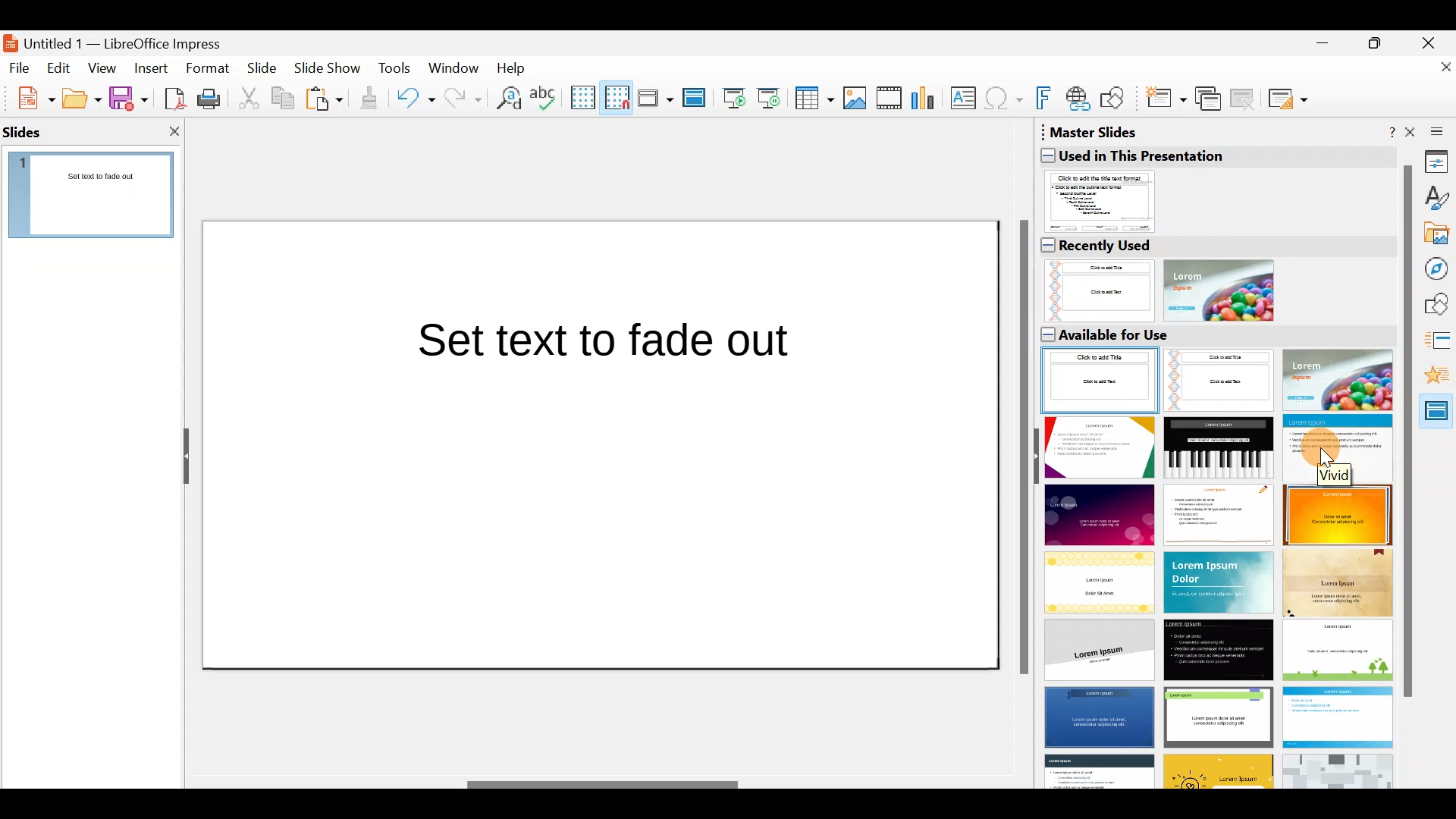 The width and height of the screenshot is (1456, 819). I want to click on Snap to grid, so click(614, 97).